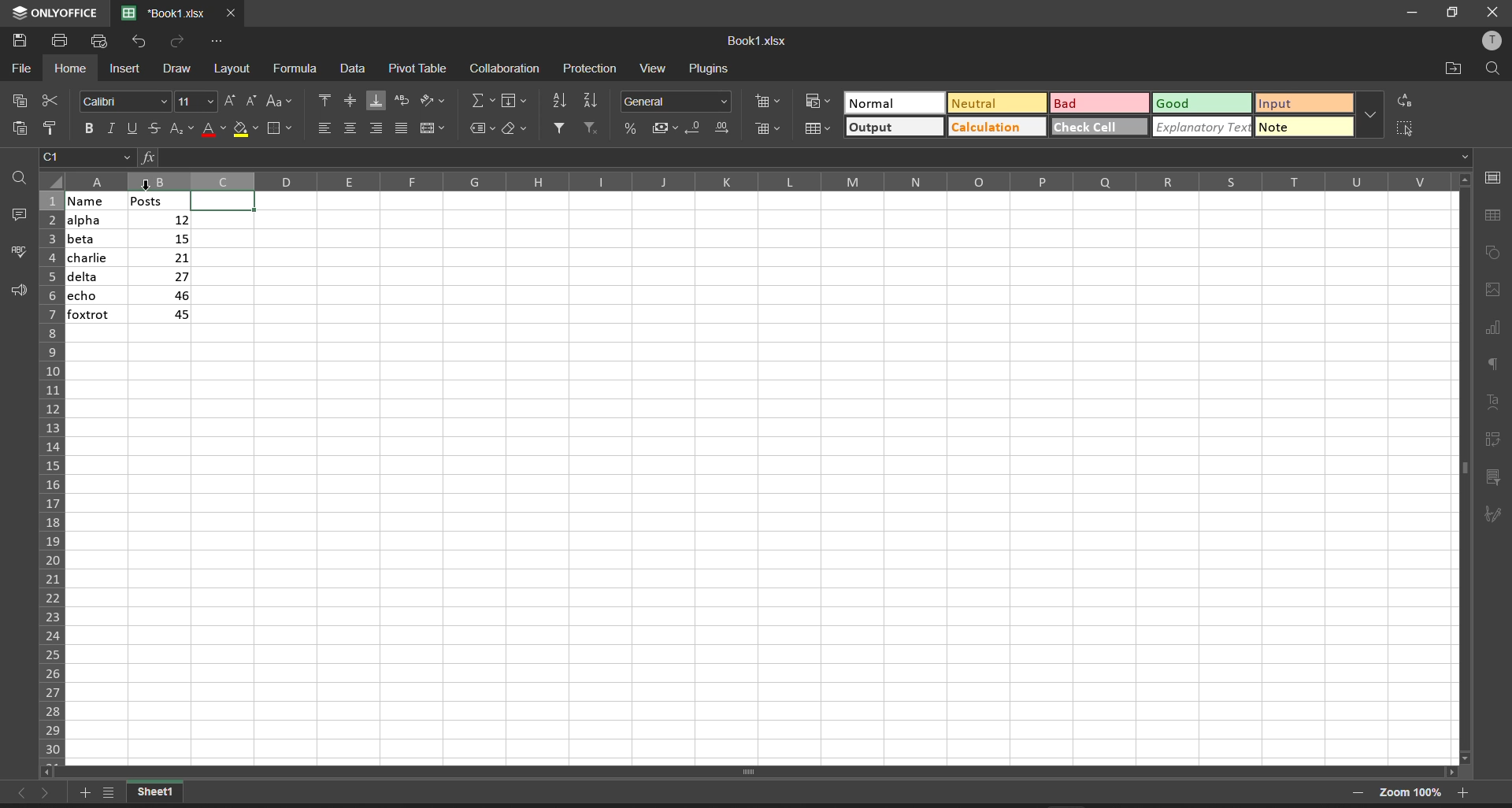 Image resolution: width=1512 pixels, height=808 pixels. What do you see at coordinates (162, 261) in the screenshot?
I see `posts` at bounding box center [162, 261].